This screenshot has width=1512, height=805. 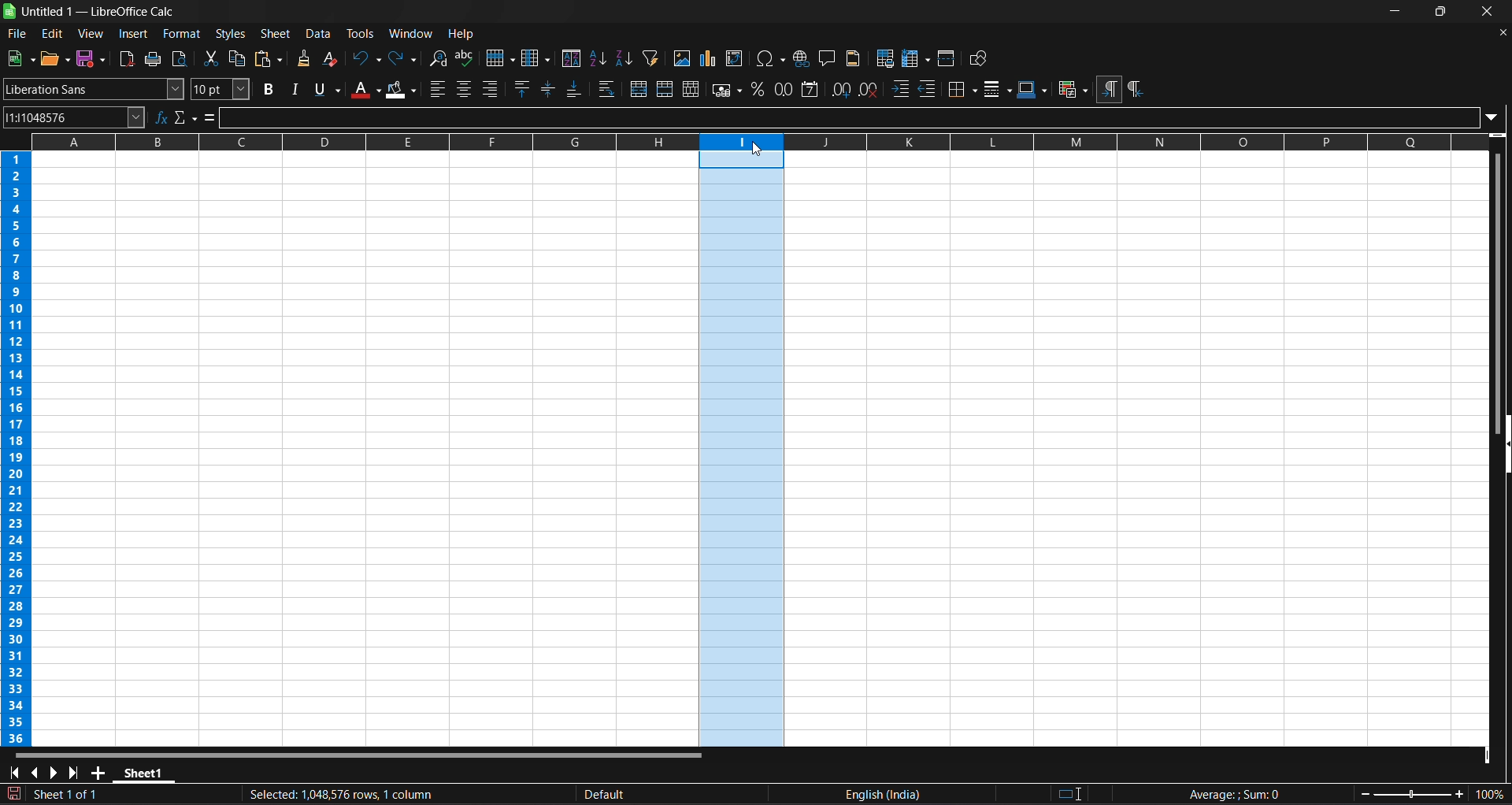 What do you see at coordinates (759, 138) in the screenshot?
I see `rows` at bounding box center [759, 138].